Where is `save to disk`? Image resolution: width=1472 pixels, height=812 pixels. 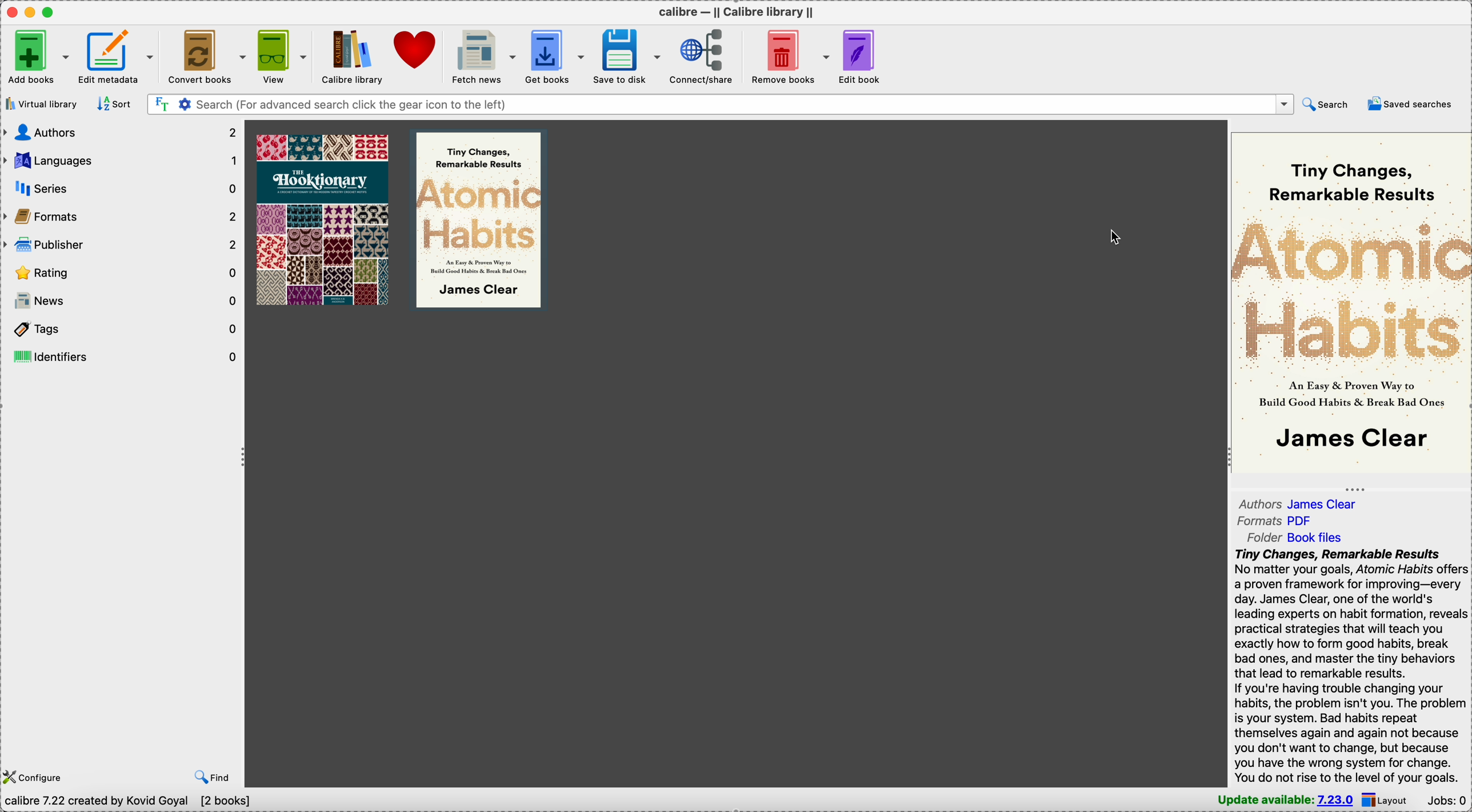 save to disk is located at coordinates (629, 55).